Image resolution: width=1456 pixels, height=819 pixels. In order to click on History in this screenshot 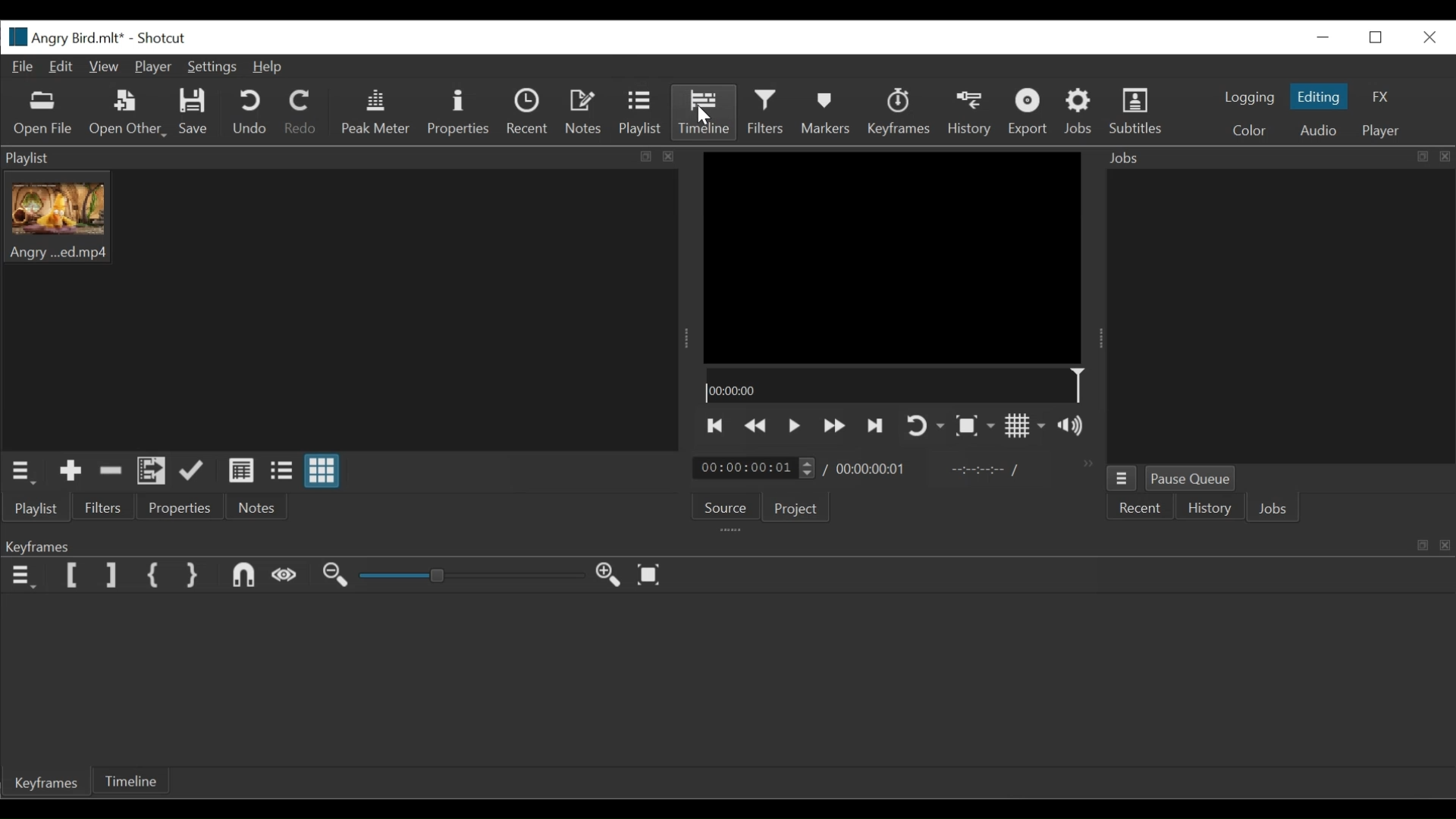, I will do `click(1209, 507)`.